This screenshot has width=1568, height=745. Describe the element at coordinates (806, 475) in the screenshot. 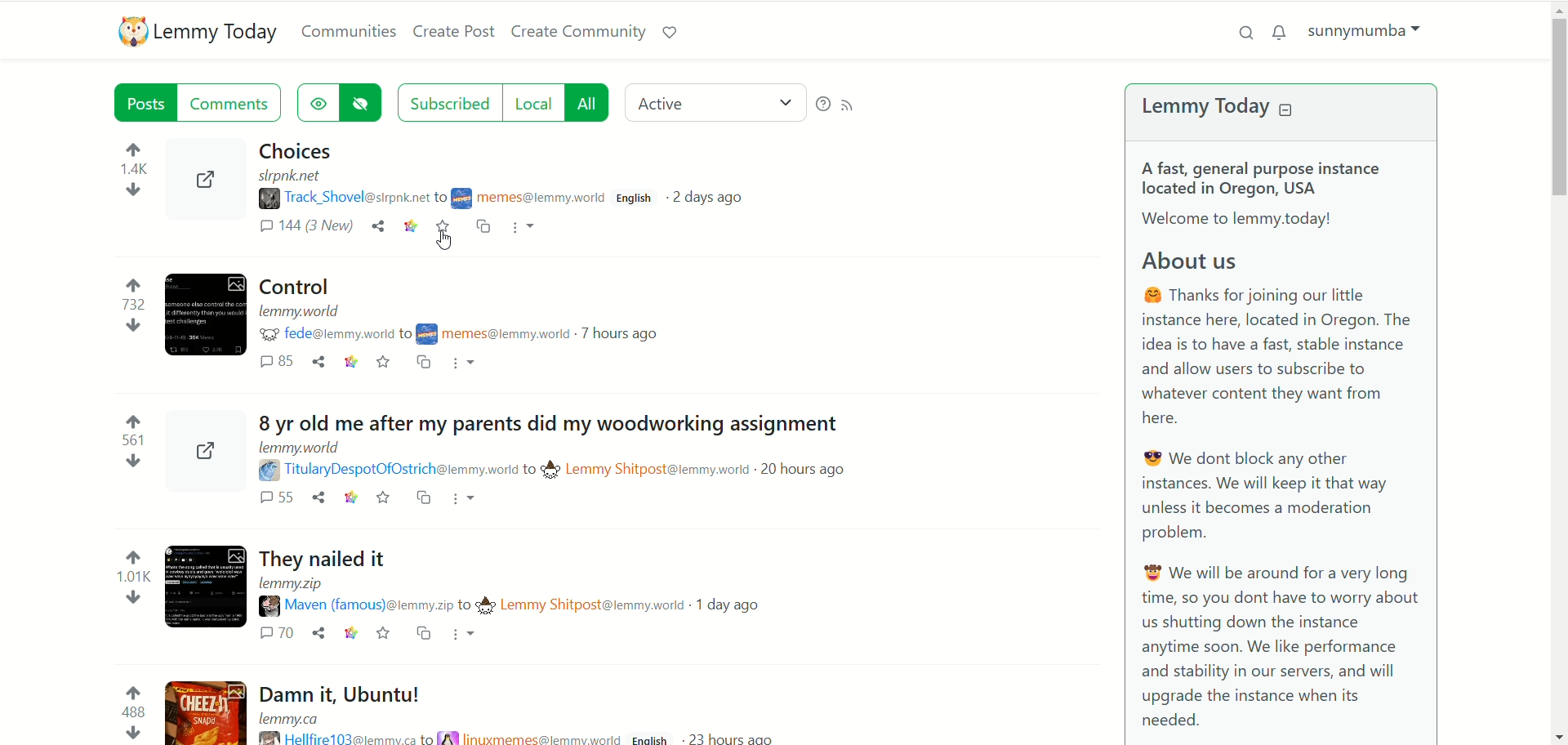

I see `20 hours ago (post date)` at that location.